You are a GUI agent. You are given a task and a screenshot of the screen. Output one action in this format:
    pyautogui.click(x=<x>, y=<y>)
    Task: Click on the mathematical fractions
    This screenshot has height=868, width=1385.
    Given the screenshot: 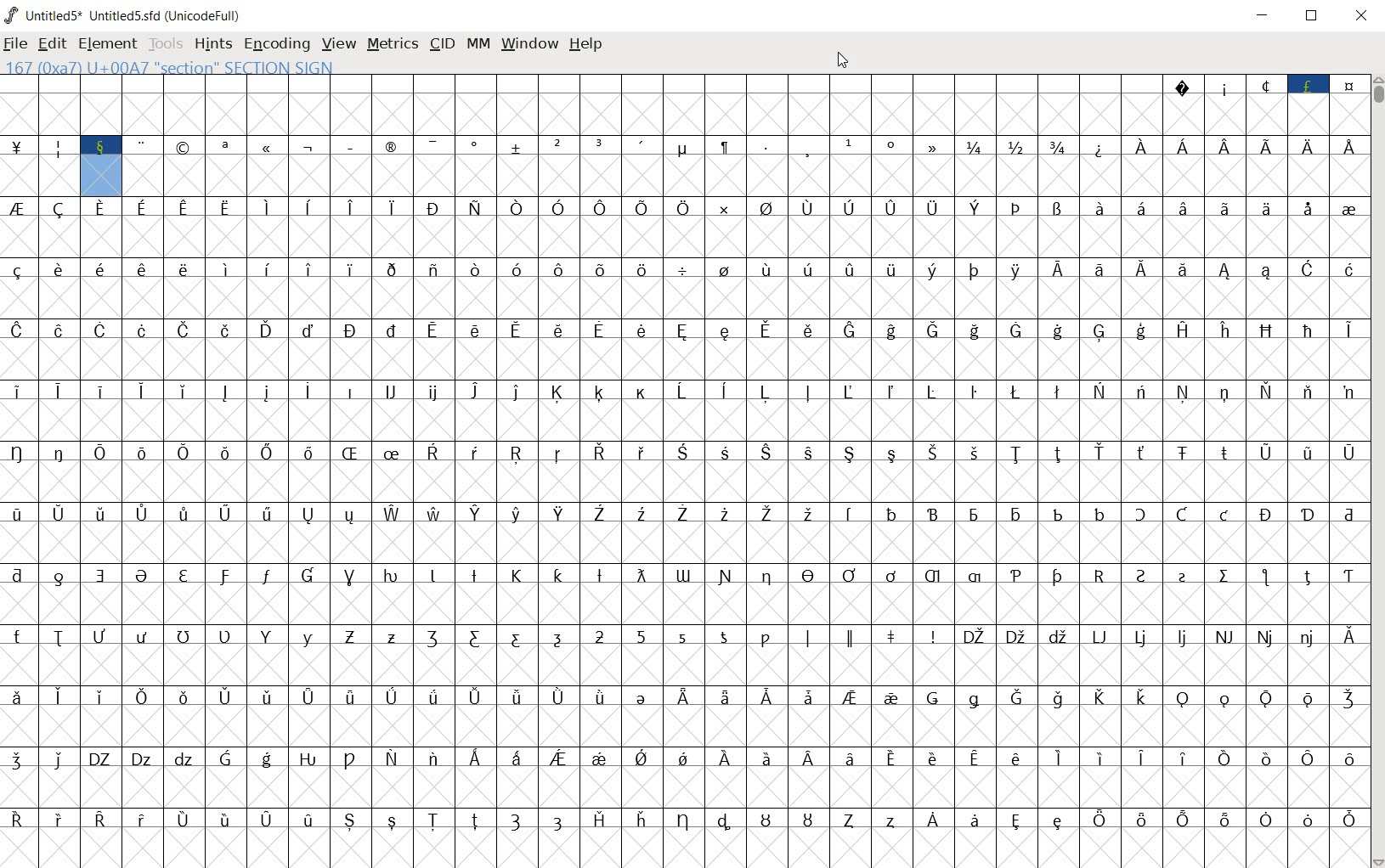 What is the action you would take?
    pyautogui.click(x=1017, y=165)
    